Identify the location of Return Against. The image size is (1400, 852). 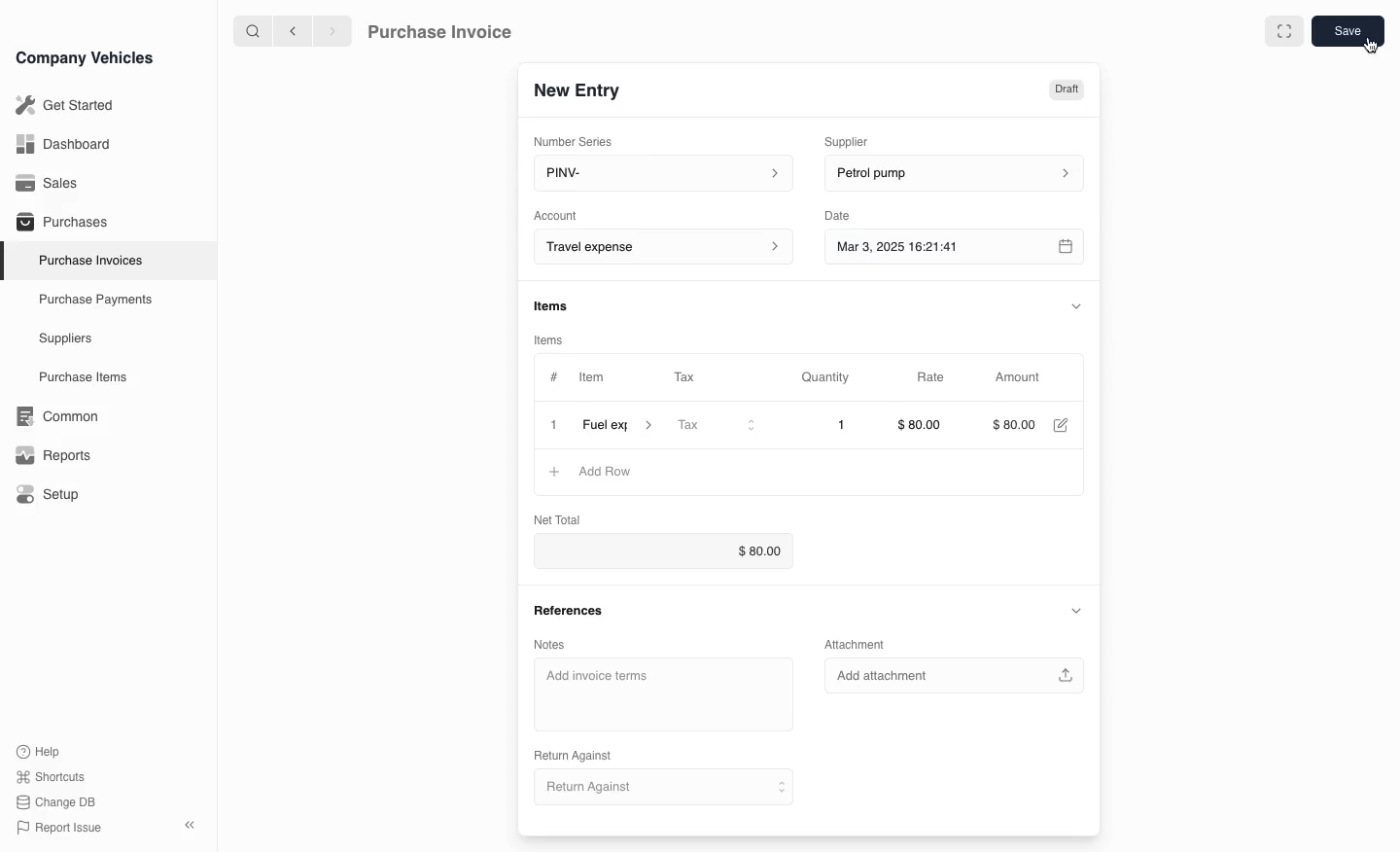
(660, 788).